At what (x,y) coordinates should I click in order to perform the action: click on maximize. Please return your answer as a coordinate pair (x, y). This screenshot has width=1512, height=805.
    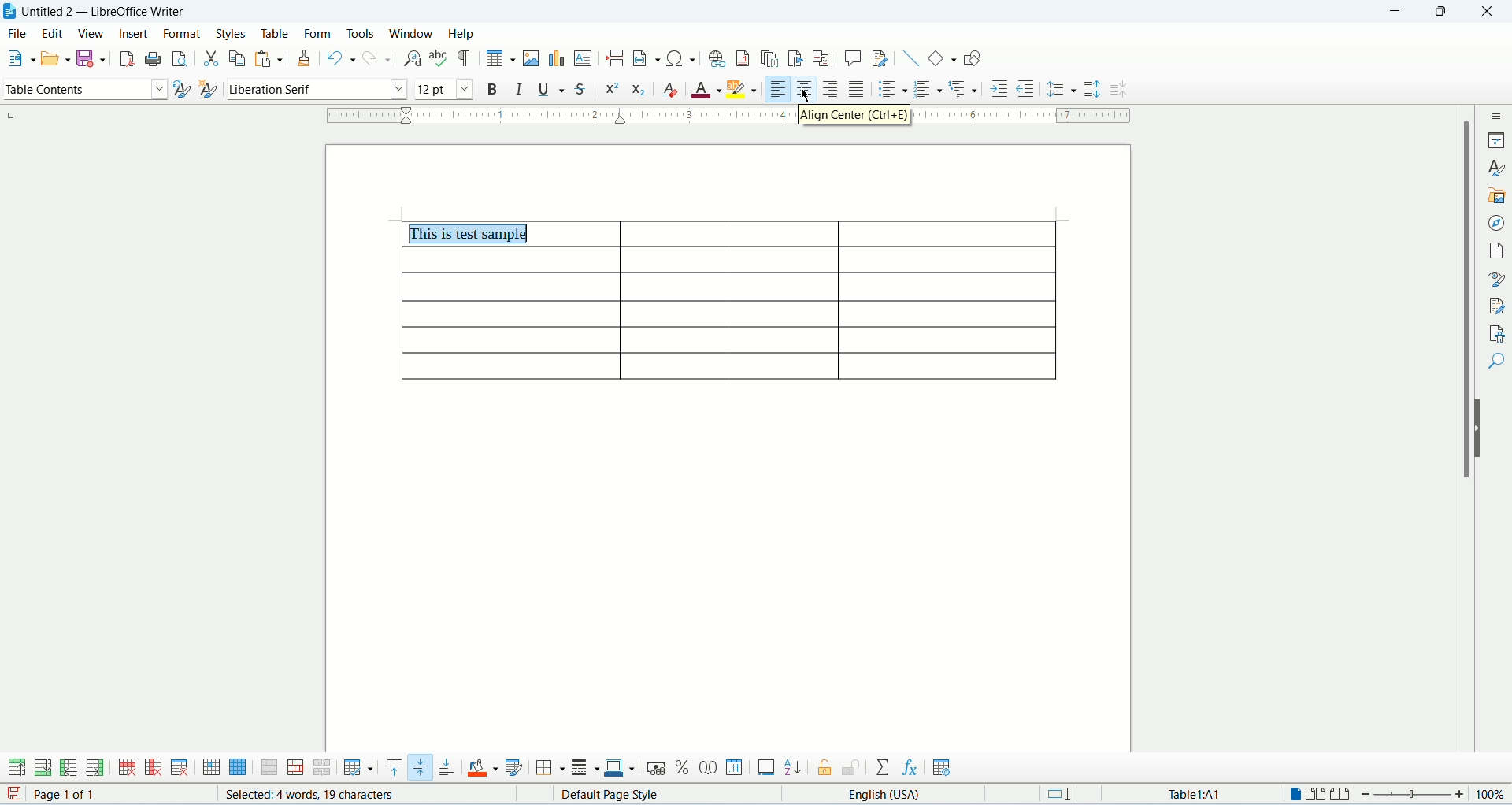
    Looking at the image, I should click on (1445, 12).